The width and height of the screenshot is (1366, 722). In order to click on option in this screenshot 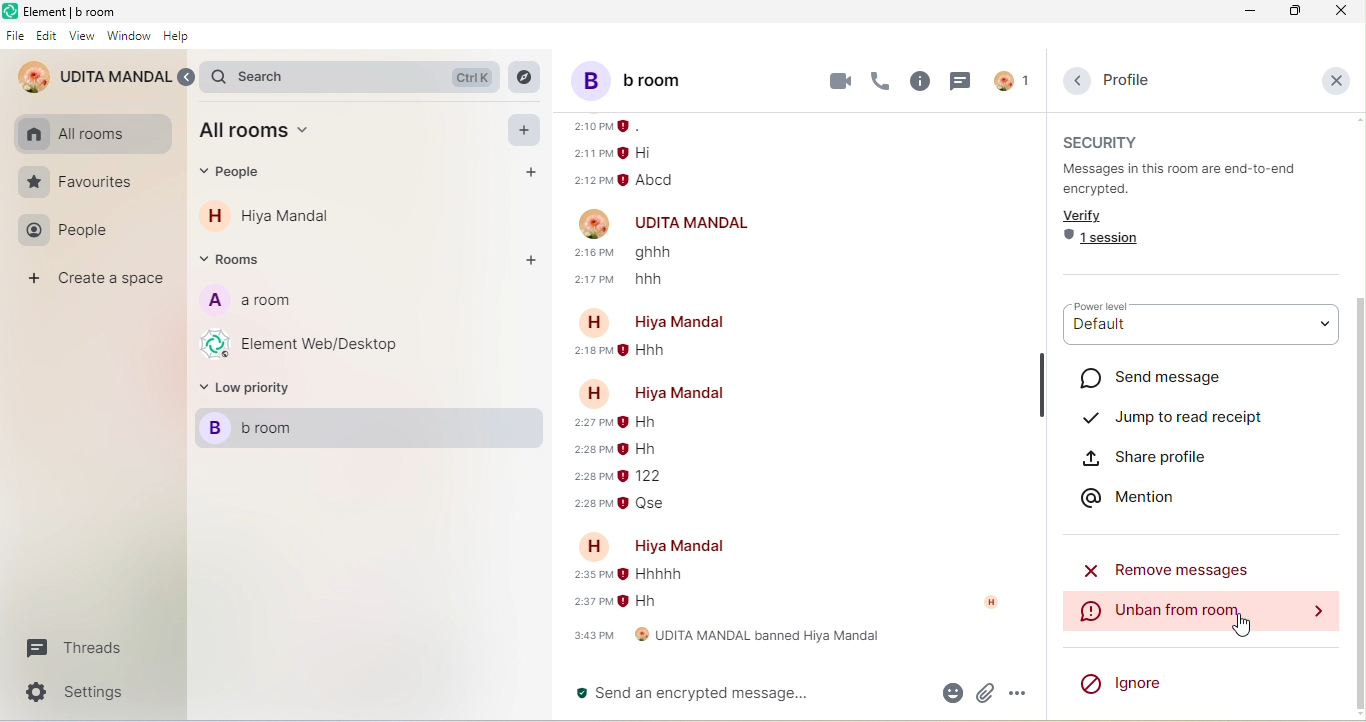, I will do `click(1018, 694)`.